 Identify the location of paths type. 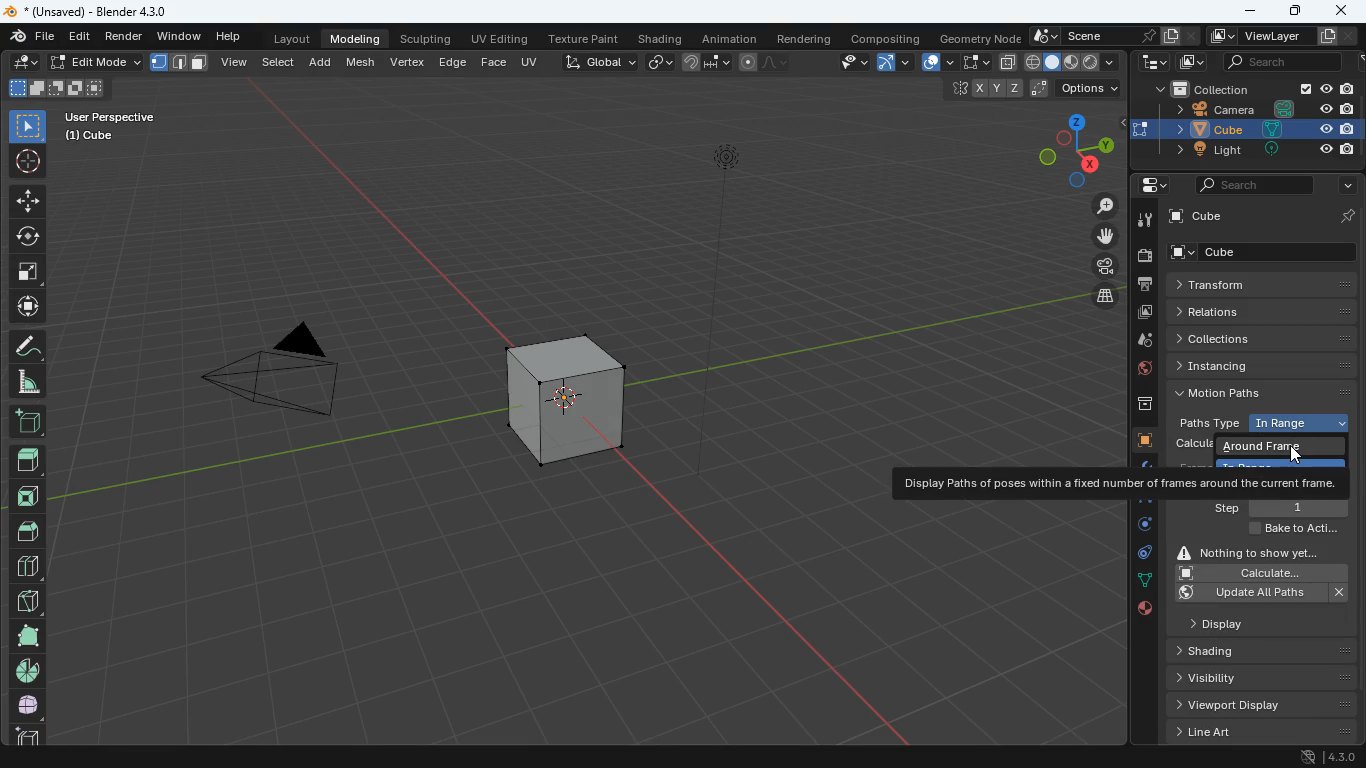
(1259, 423).